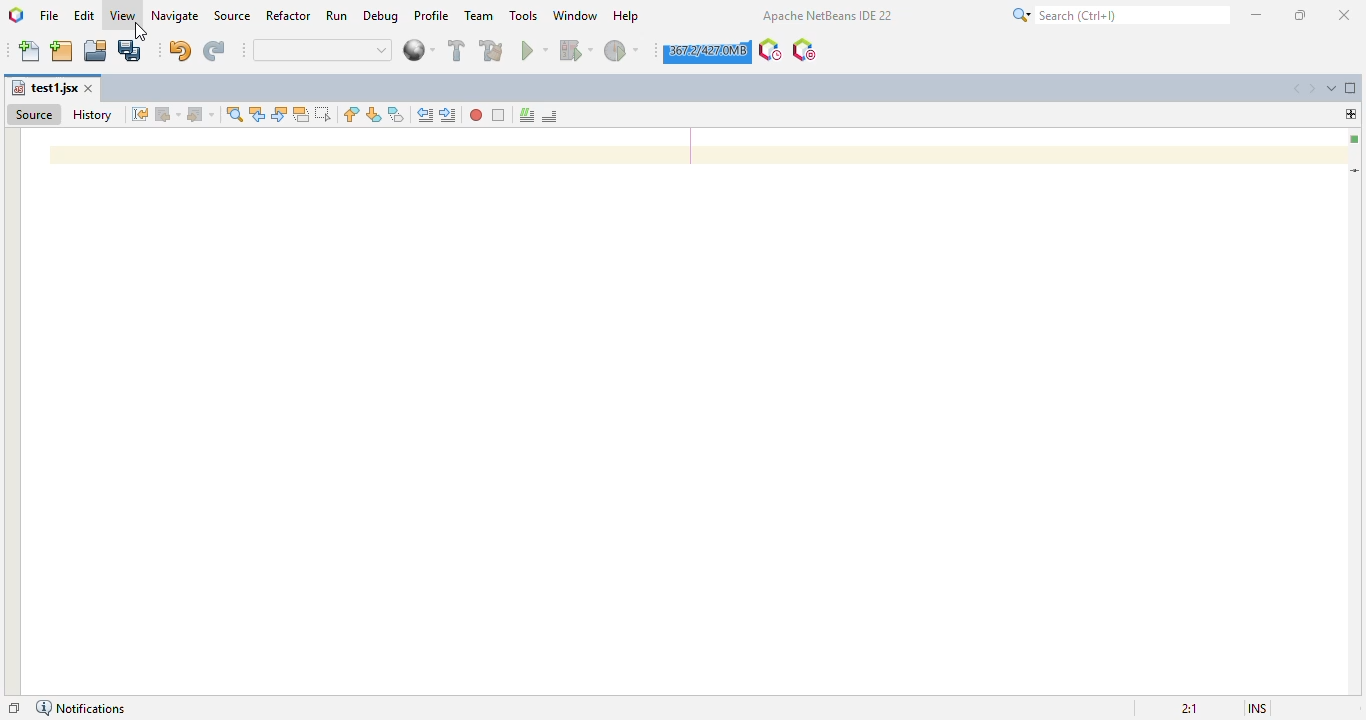 This screenshot has width=1366, height=720. I want to click on shift line left, so click(425, 115).